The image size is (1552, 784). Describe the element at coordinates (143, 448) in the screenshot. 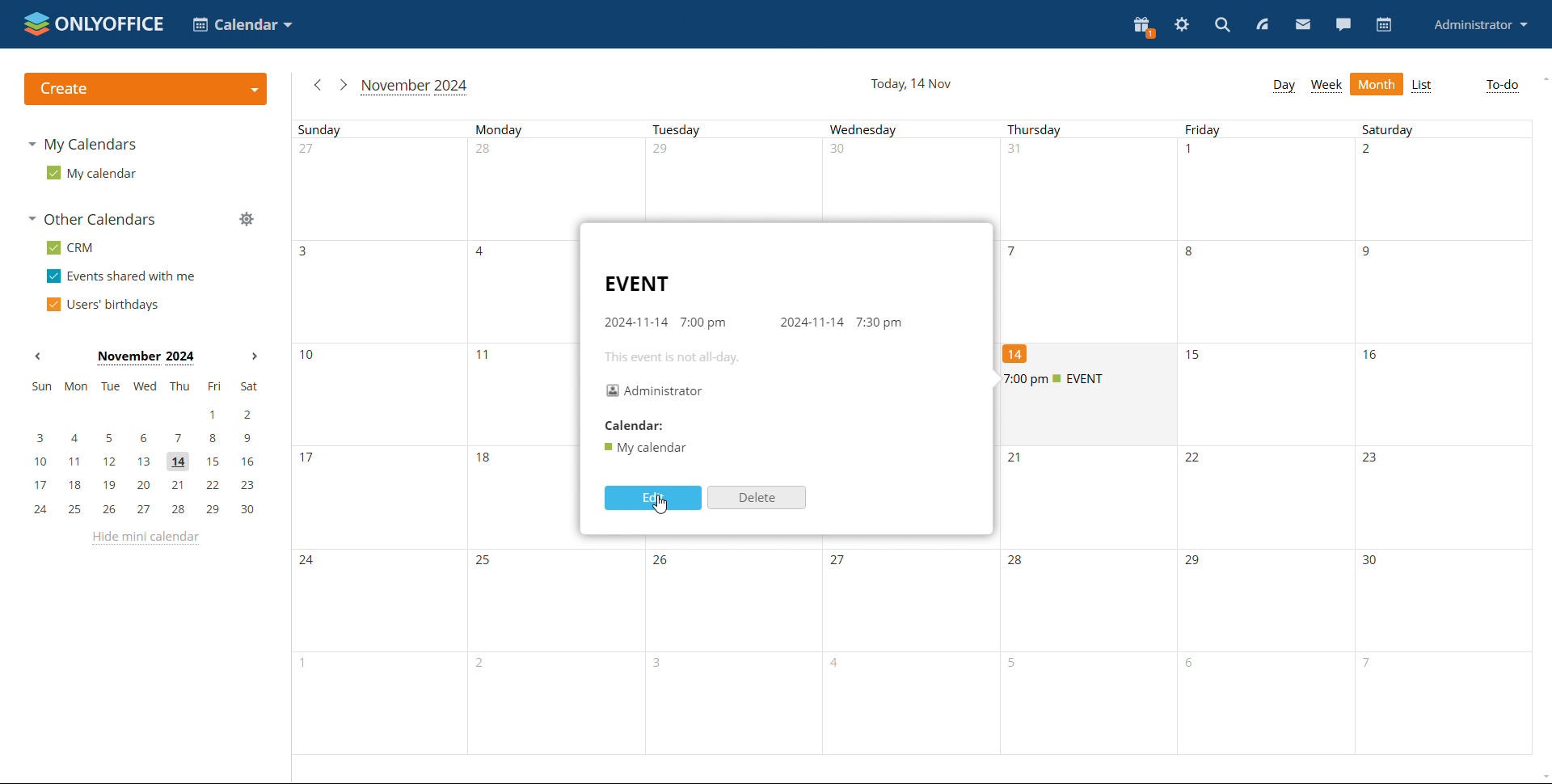

I see `mini calendar` at that location.